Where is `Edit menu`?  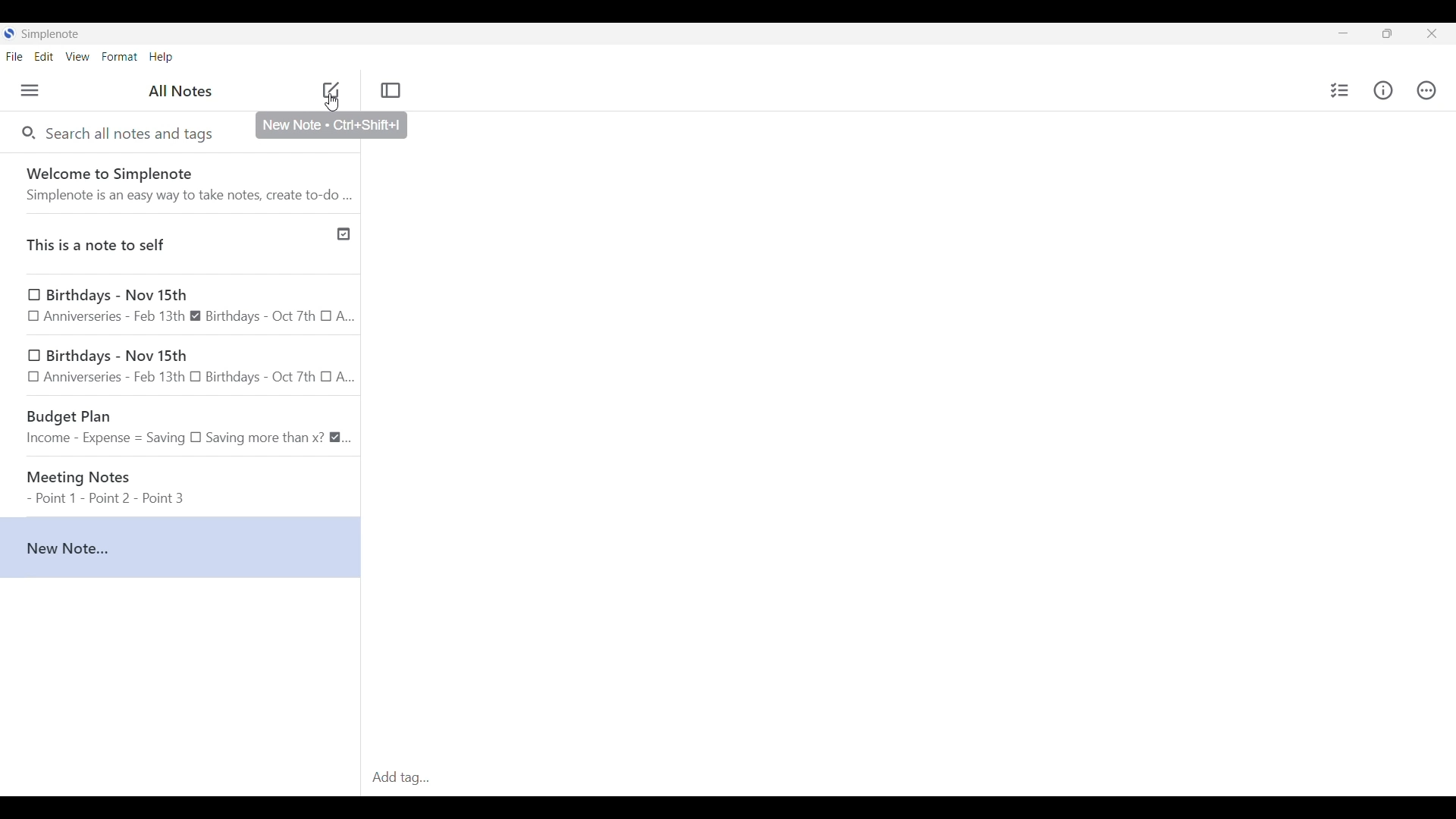 Edit menu is located at coordinates (44, 56).